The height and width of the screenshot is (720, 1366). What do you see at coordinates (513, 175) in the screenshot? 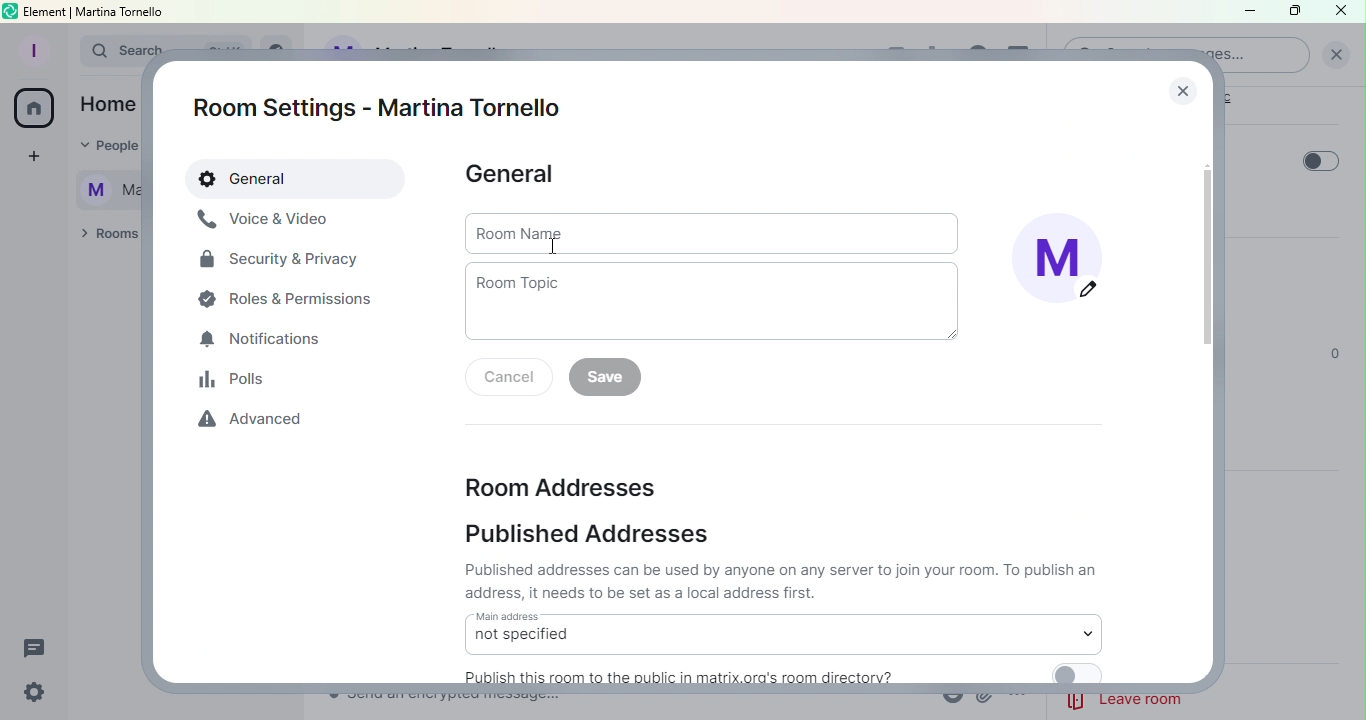
I see `General` at bounding box center [513, 175].